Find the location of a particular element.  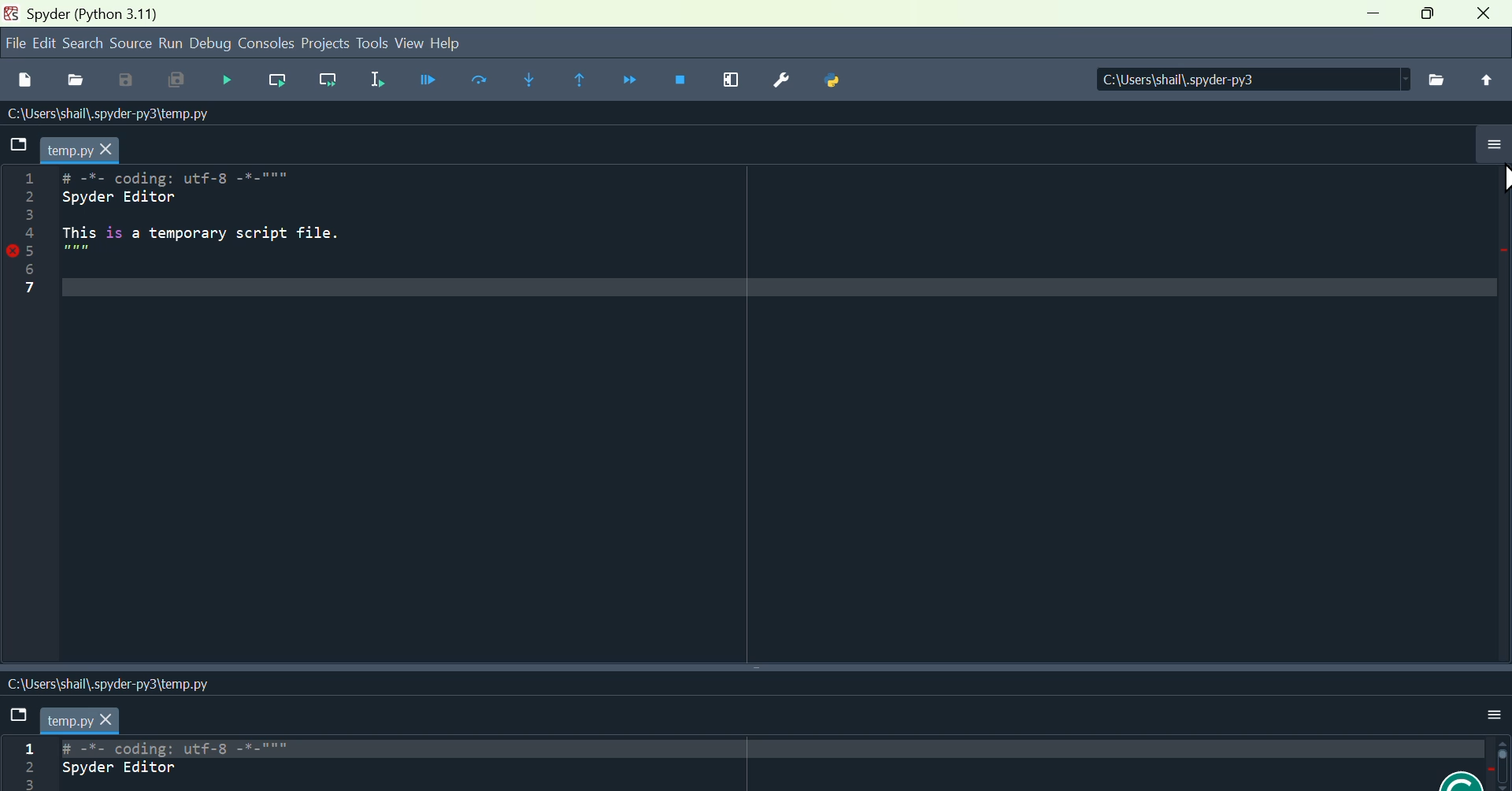

temp.py  is located at coordinates (86, 145).